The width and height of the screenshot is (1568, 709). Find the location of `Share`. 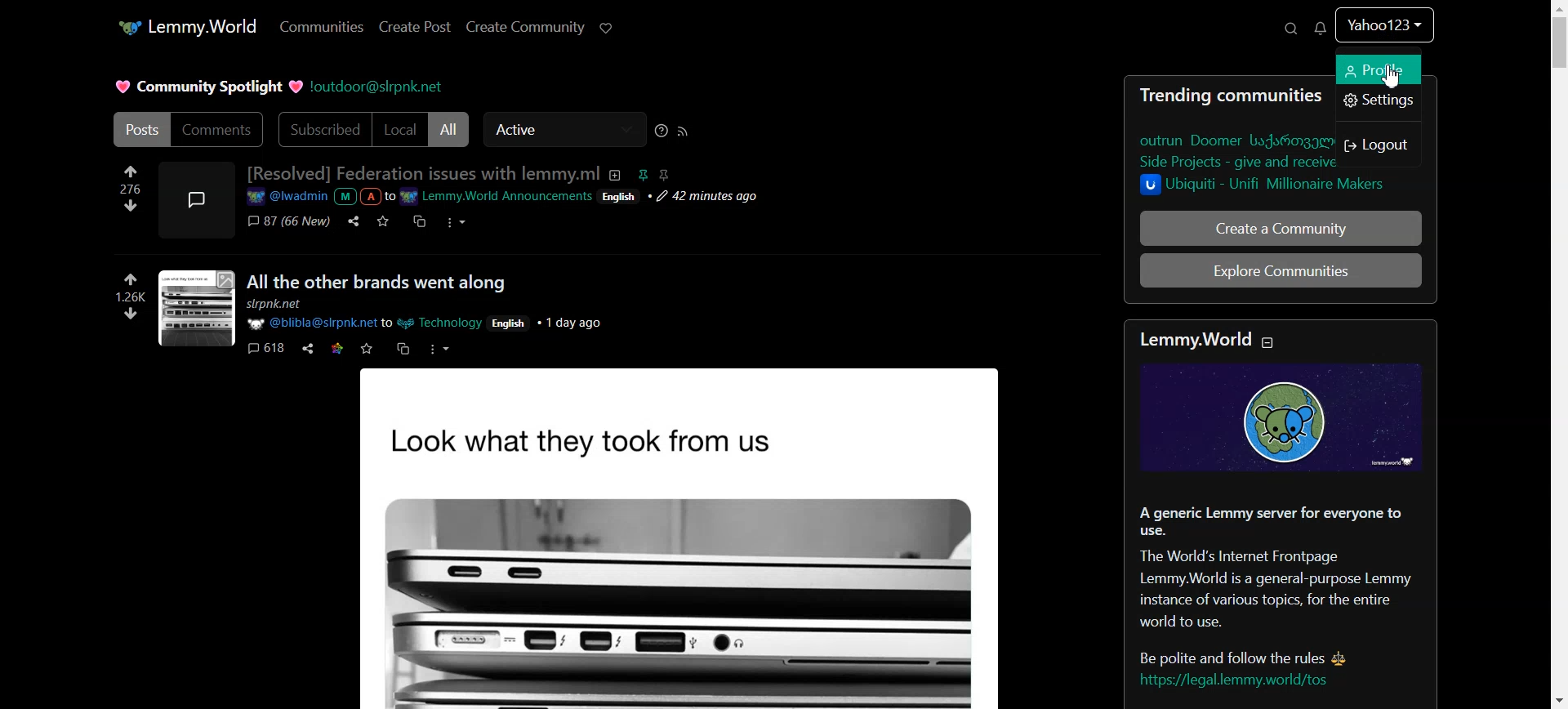

Share is located at coordinates (353, 221).